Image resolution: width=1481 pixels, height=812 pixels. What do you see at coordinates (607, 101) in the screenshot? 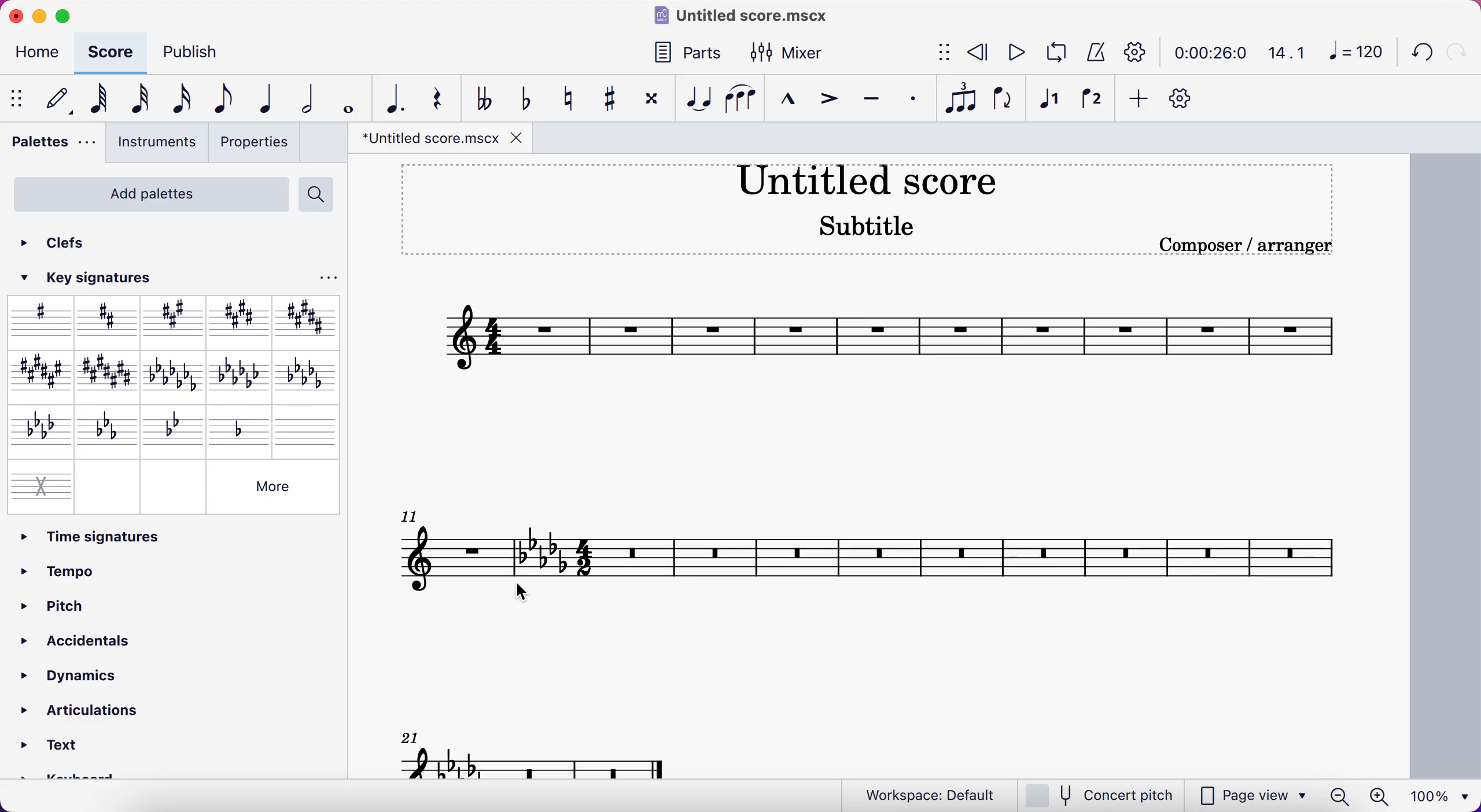
I see `toggle sharp` at bounding box center [607, 101].